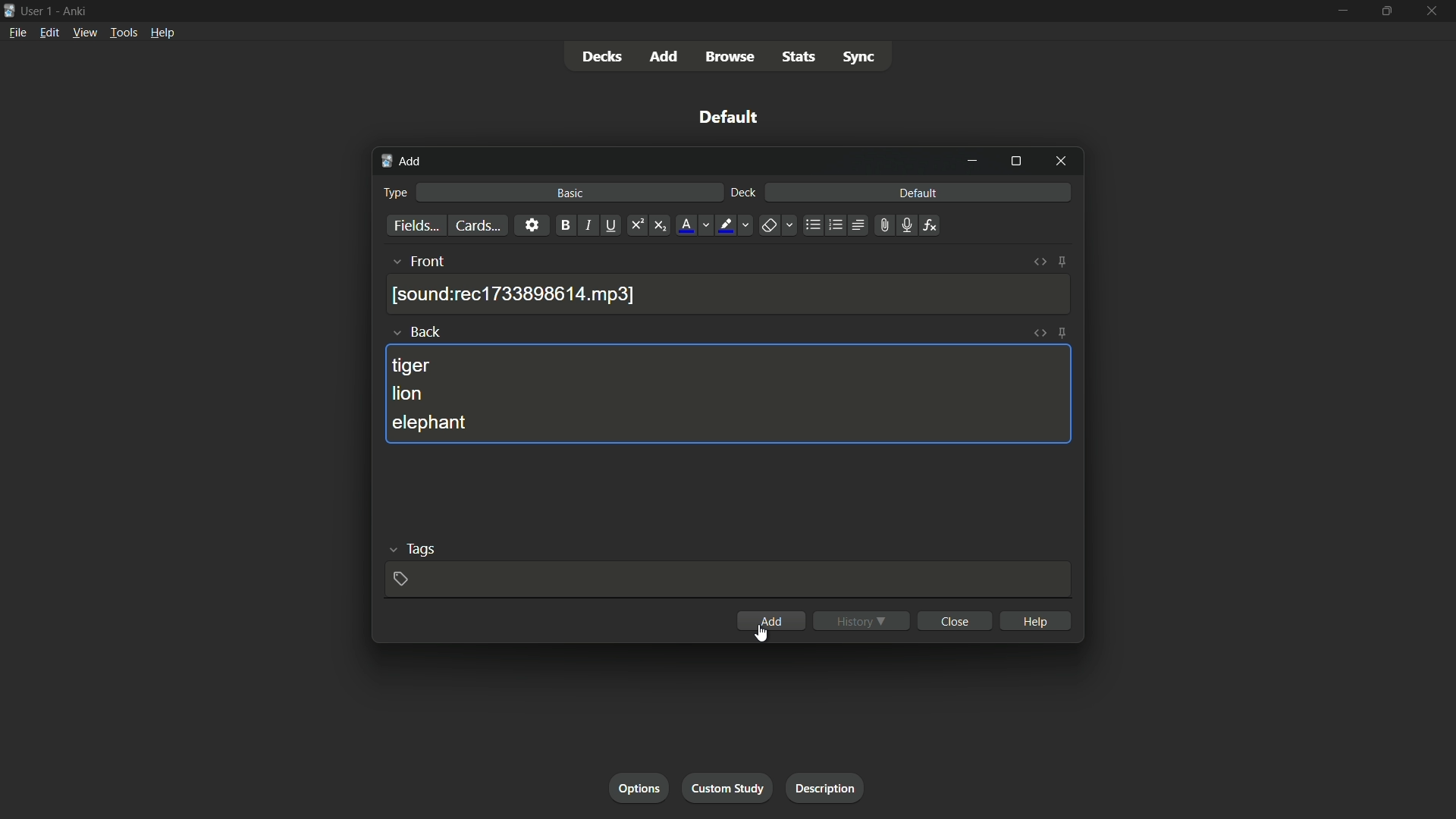 Image resolution: width=1456 pixels, height=819 pixels. Describe the element at coordinates (768, 226) in the screenshot. I see `remove  formatting` at that location.